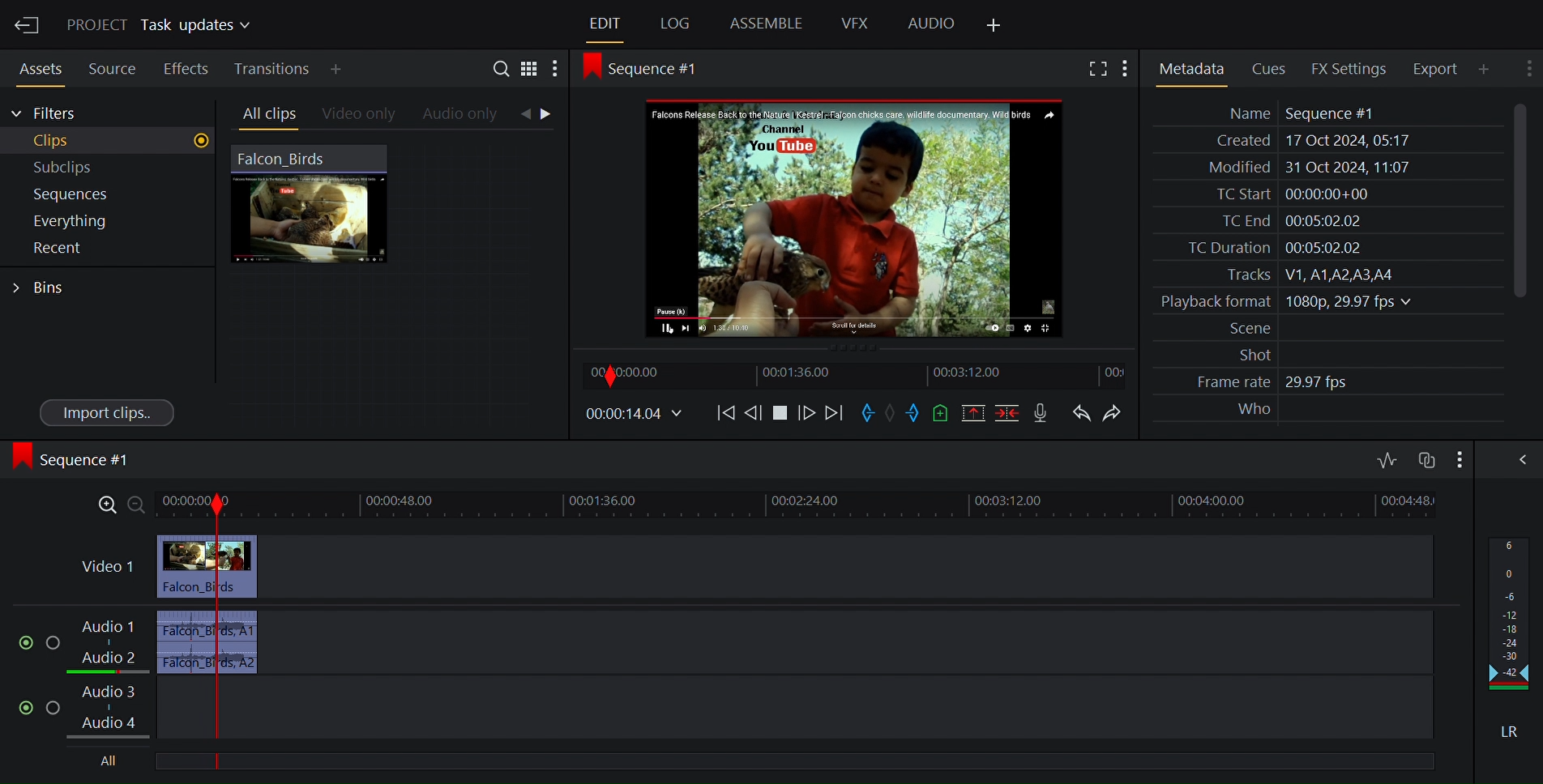 This screenshot has width=1543, height=784. I want to click on Recent, so click(97, 249).